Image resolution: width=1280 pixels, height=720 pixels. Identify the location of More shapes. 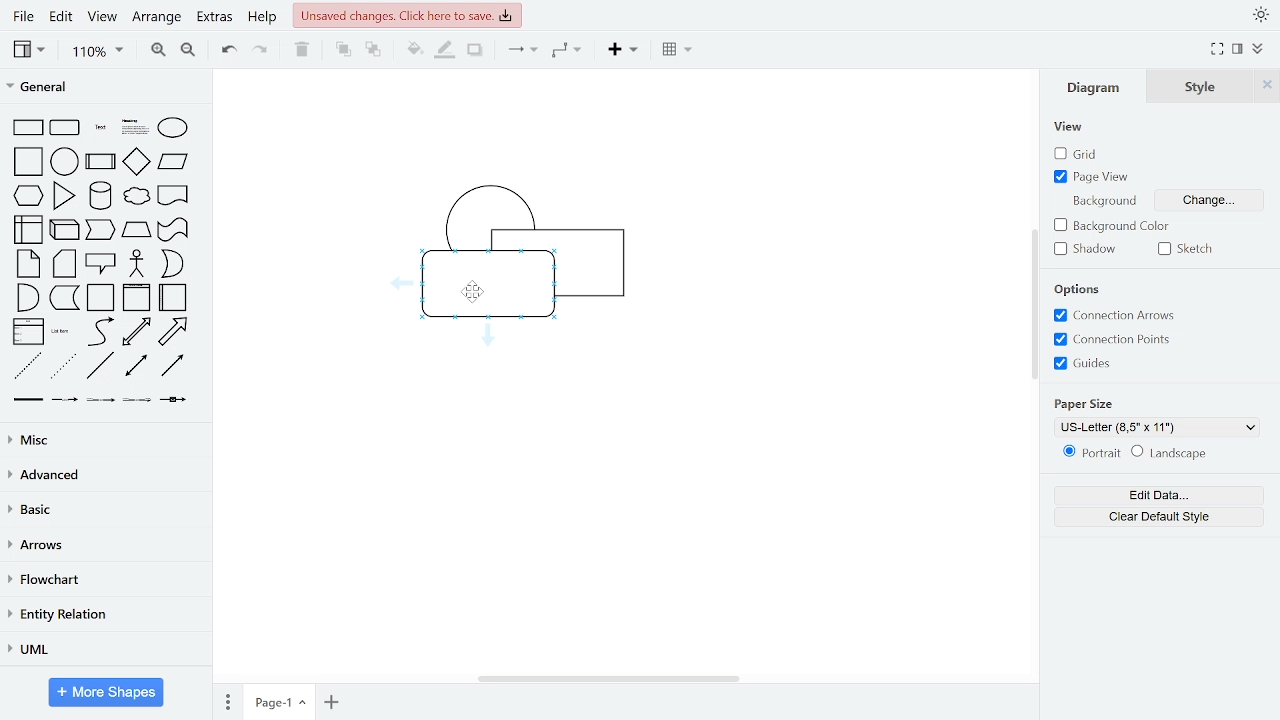
(106, 692).